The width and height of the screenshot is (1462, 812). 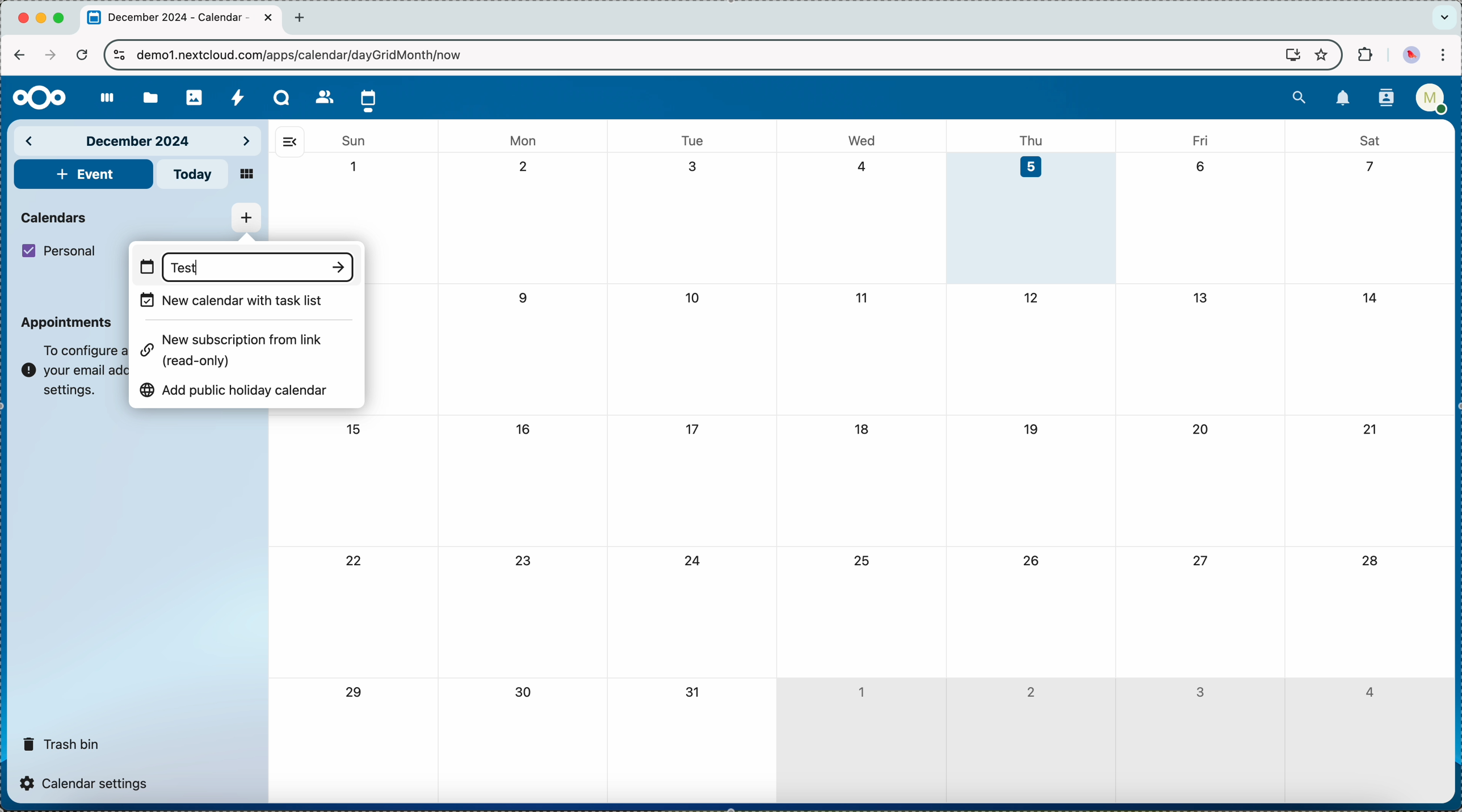 What do you see at coordinates (1374, 296) in the screenshot?
I see `14` at bounding box center [1374, 296].